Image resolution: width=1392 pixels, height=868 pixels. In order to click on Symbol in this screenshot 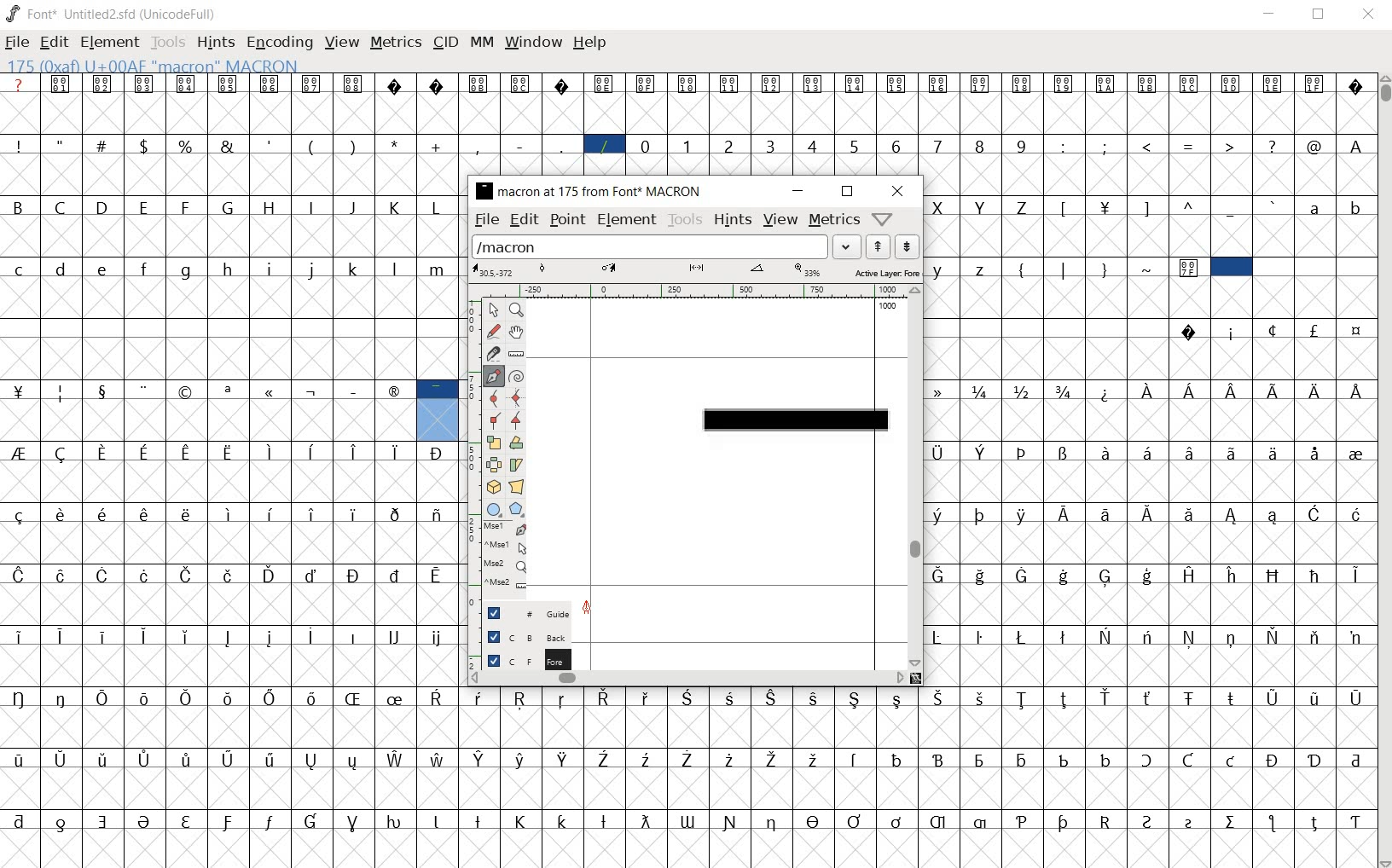, I will do `click(229, 575)`.